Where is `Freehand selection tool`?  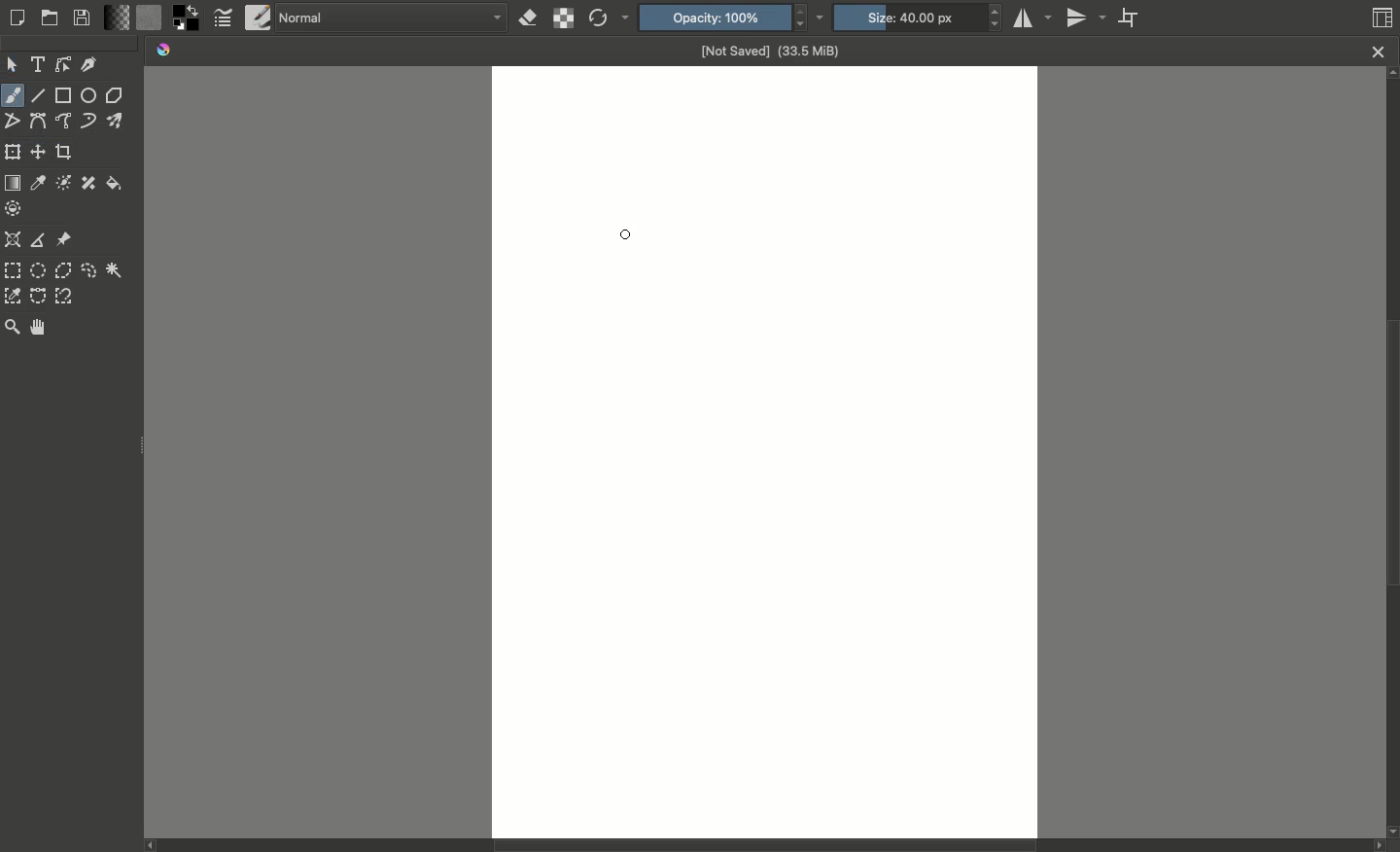
Freehand selection tool is located at coordinates (88, 270).